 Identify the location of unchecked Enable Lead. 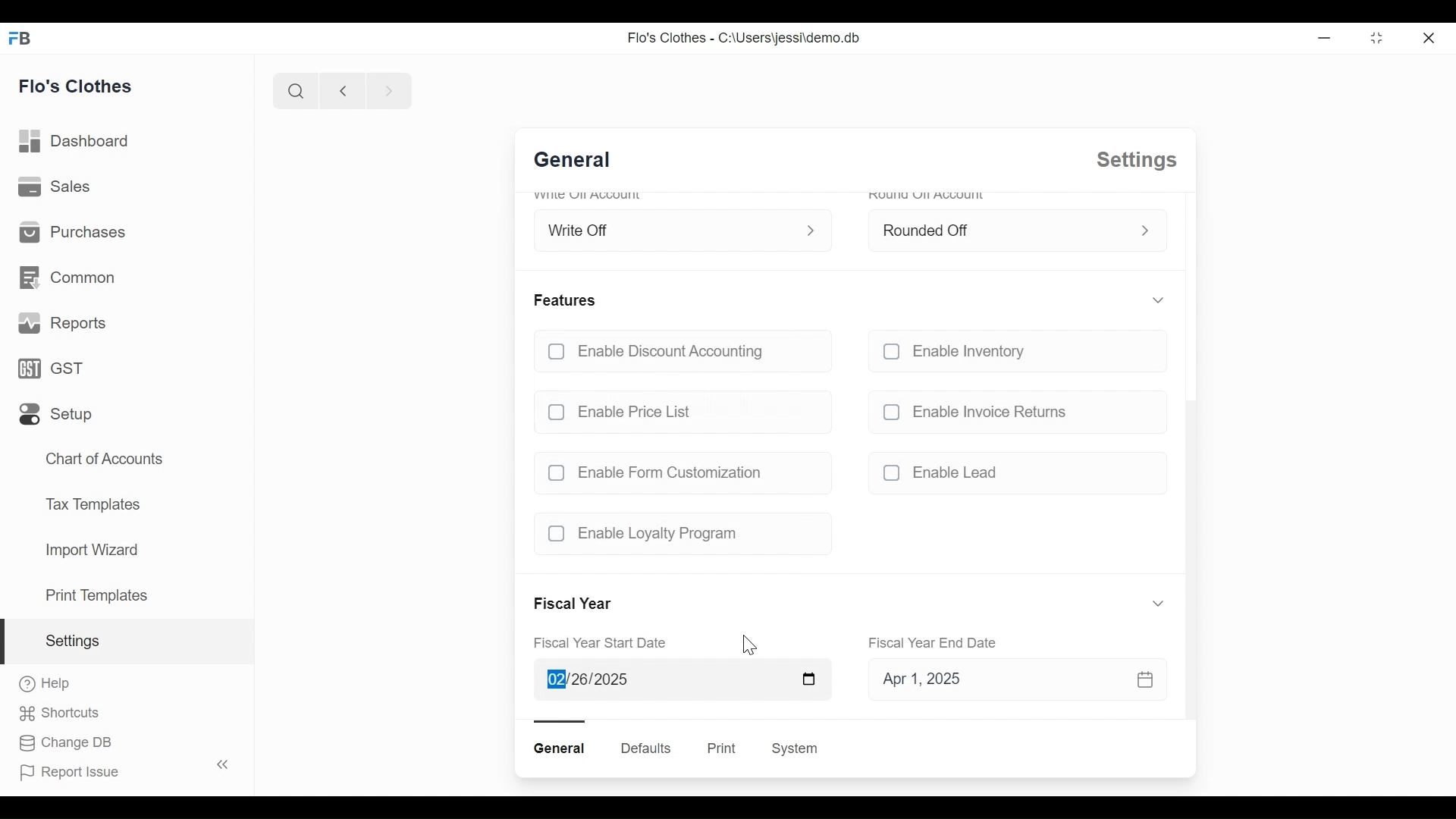
(1012, 475).